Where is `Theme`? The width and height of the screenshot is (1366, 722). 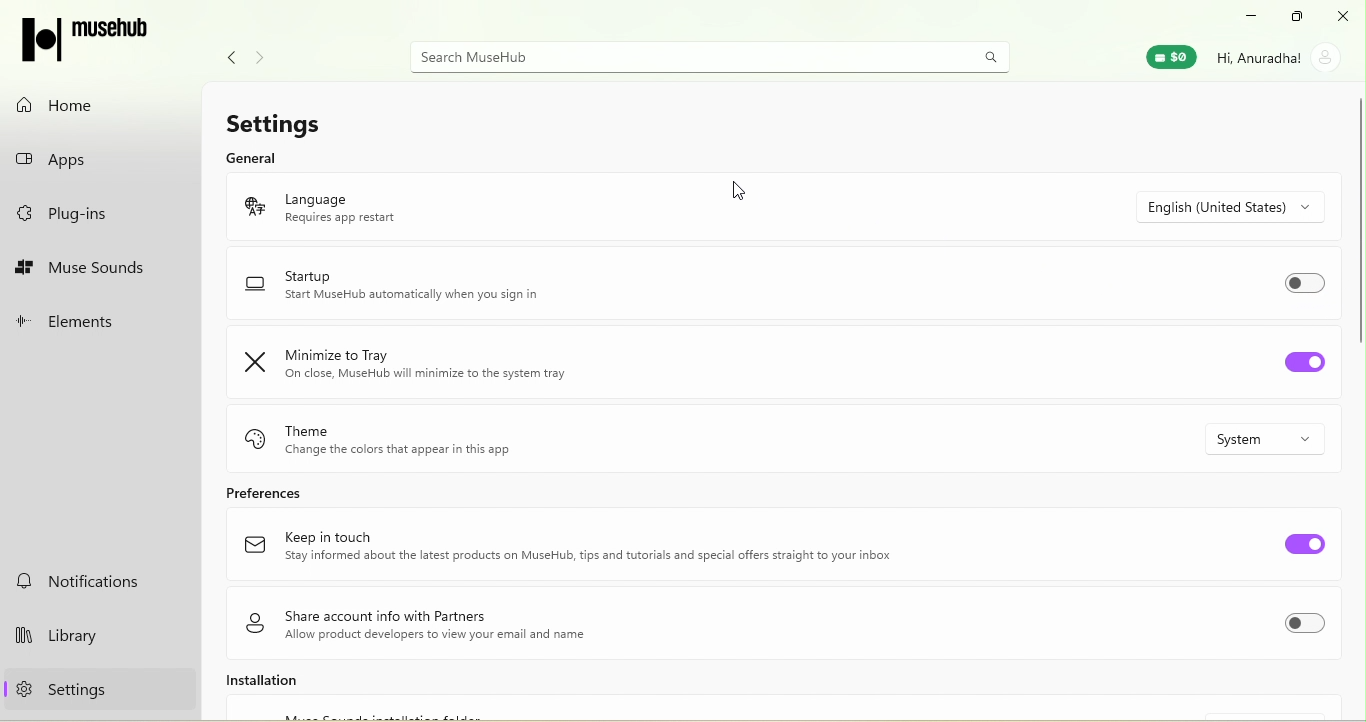
Theme is located at coordinates (426, 437).